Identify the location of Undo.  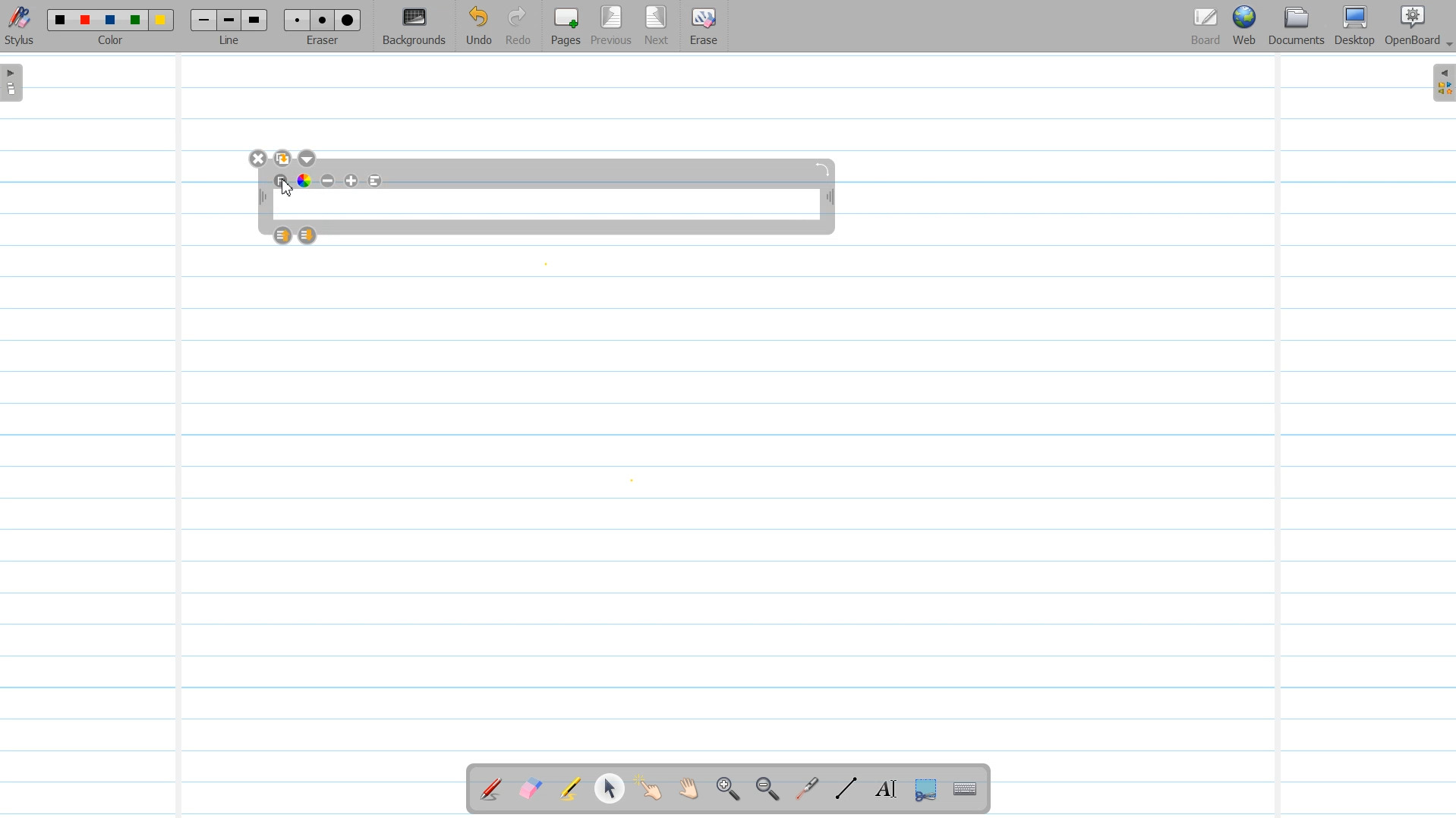
(478, 27).